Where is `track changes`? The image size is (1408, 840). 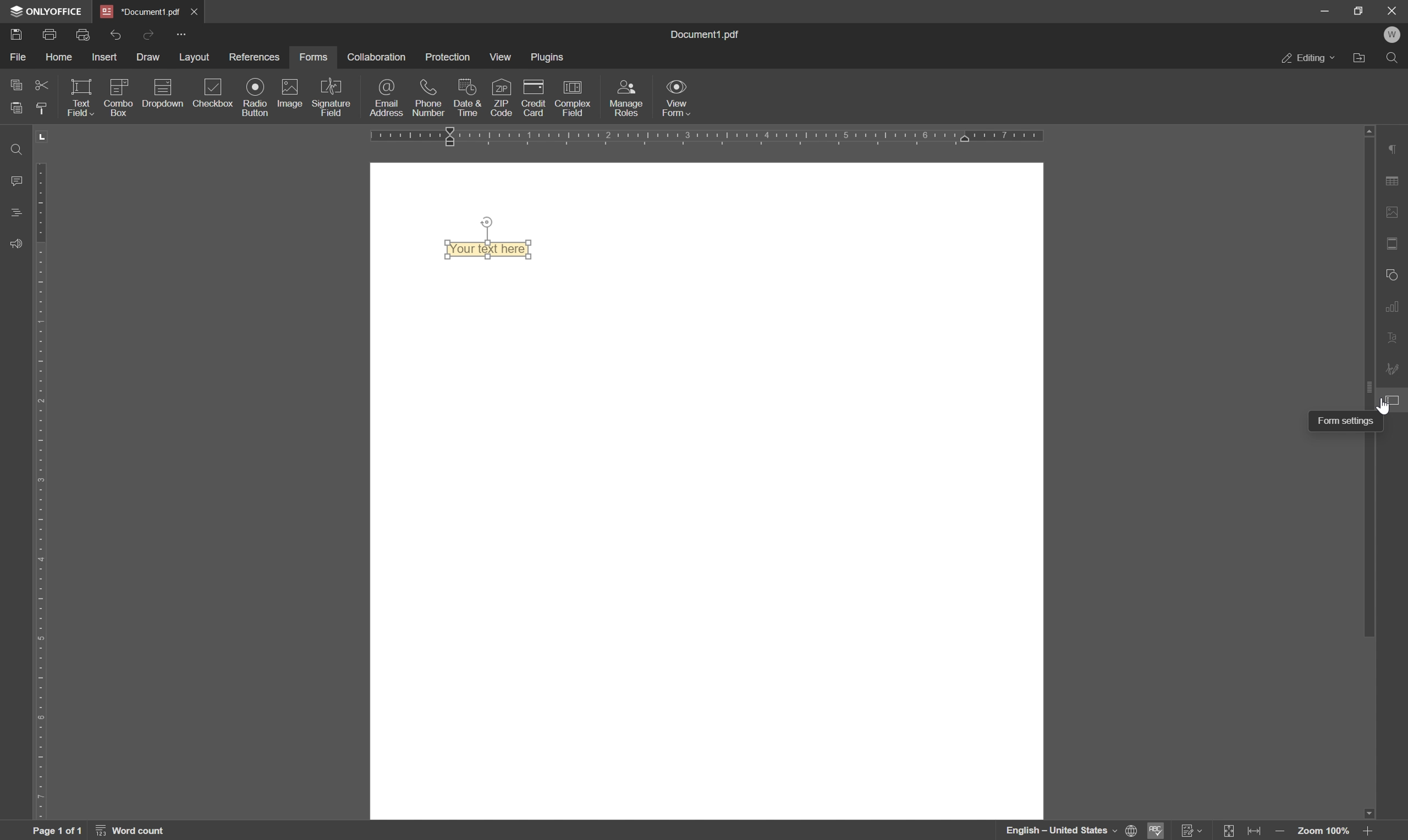
track changes is located at coordinates (1192, 831).